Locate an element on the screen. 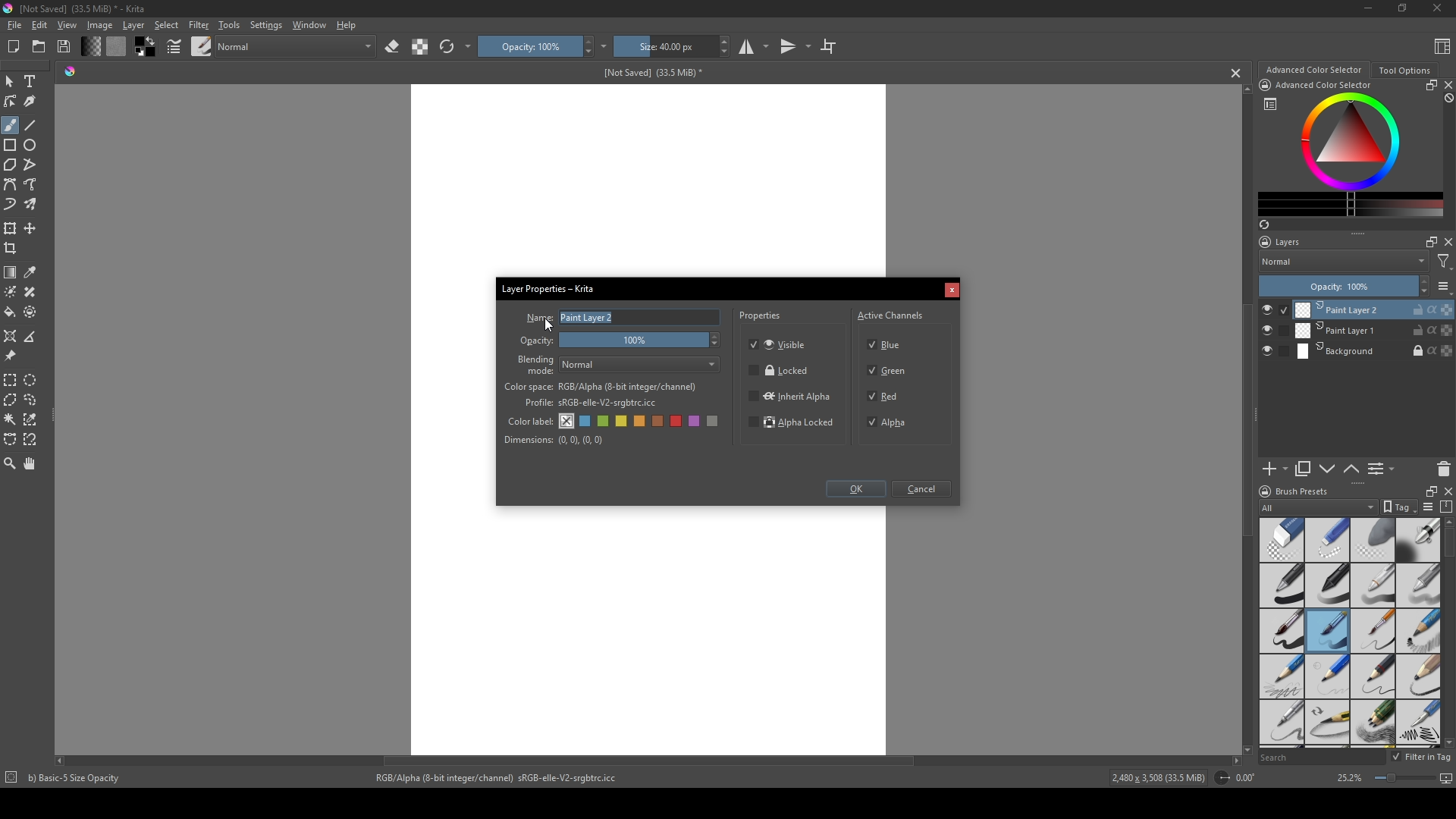  Search is located at coordinates (1321, 758).